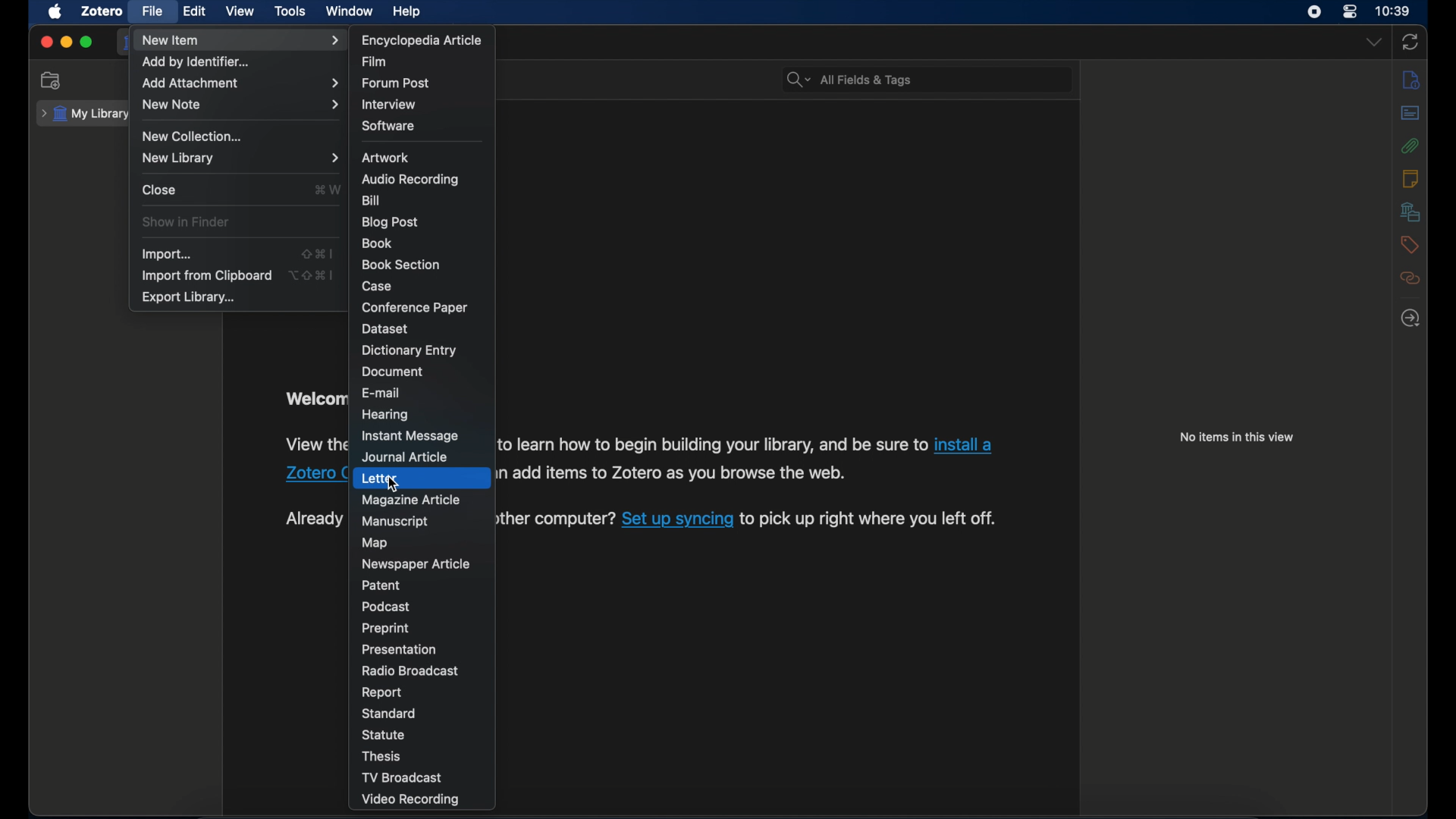  I want to click on my library, so click(83, 114).